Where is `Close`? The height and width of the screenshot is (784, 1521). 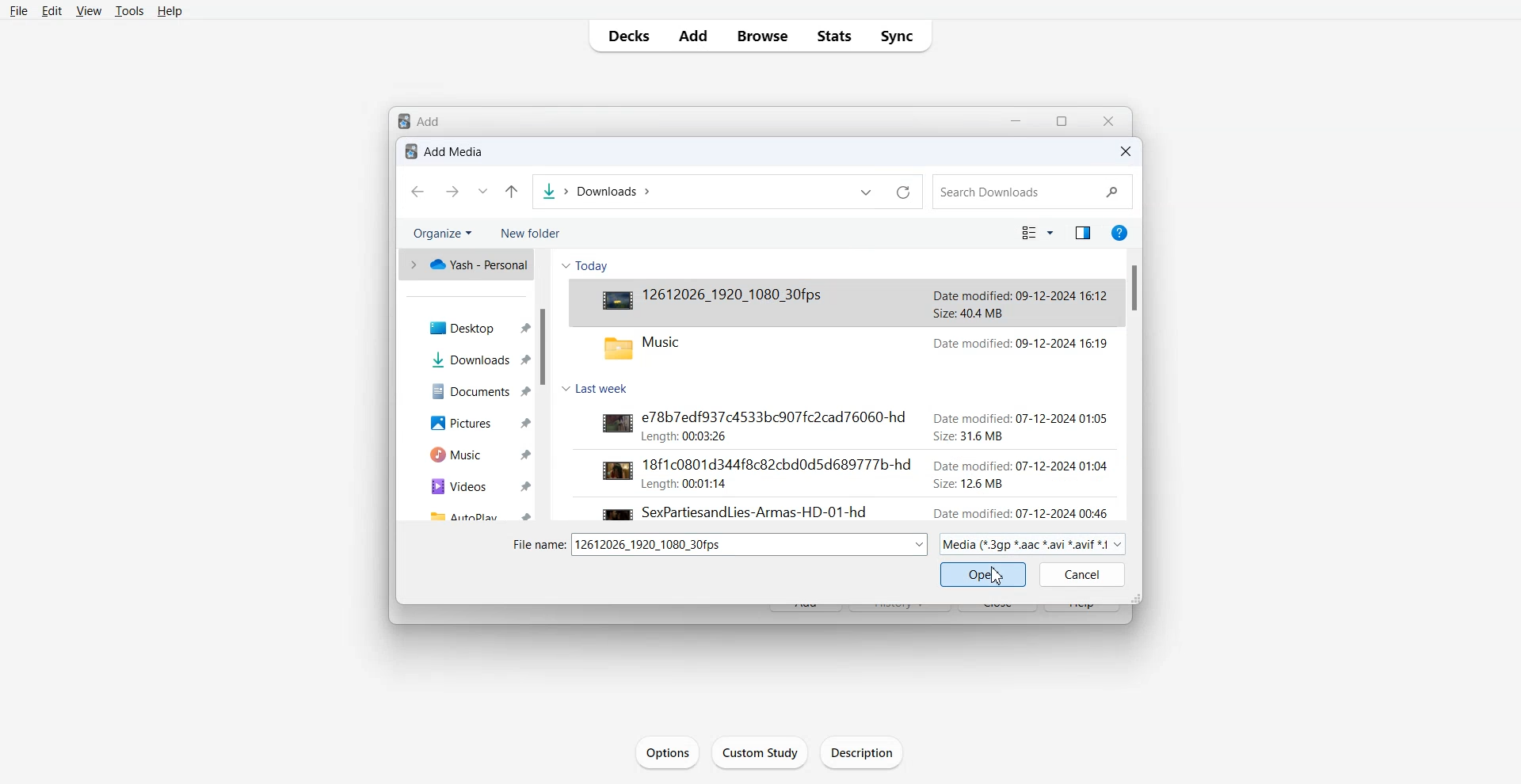 Close is located at coordinates (1126, 150).